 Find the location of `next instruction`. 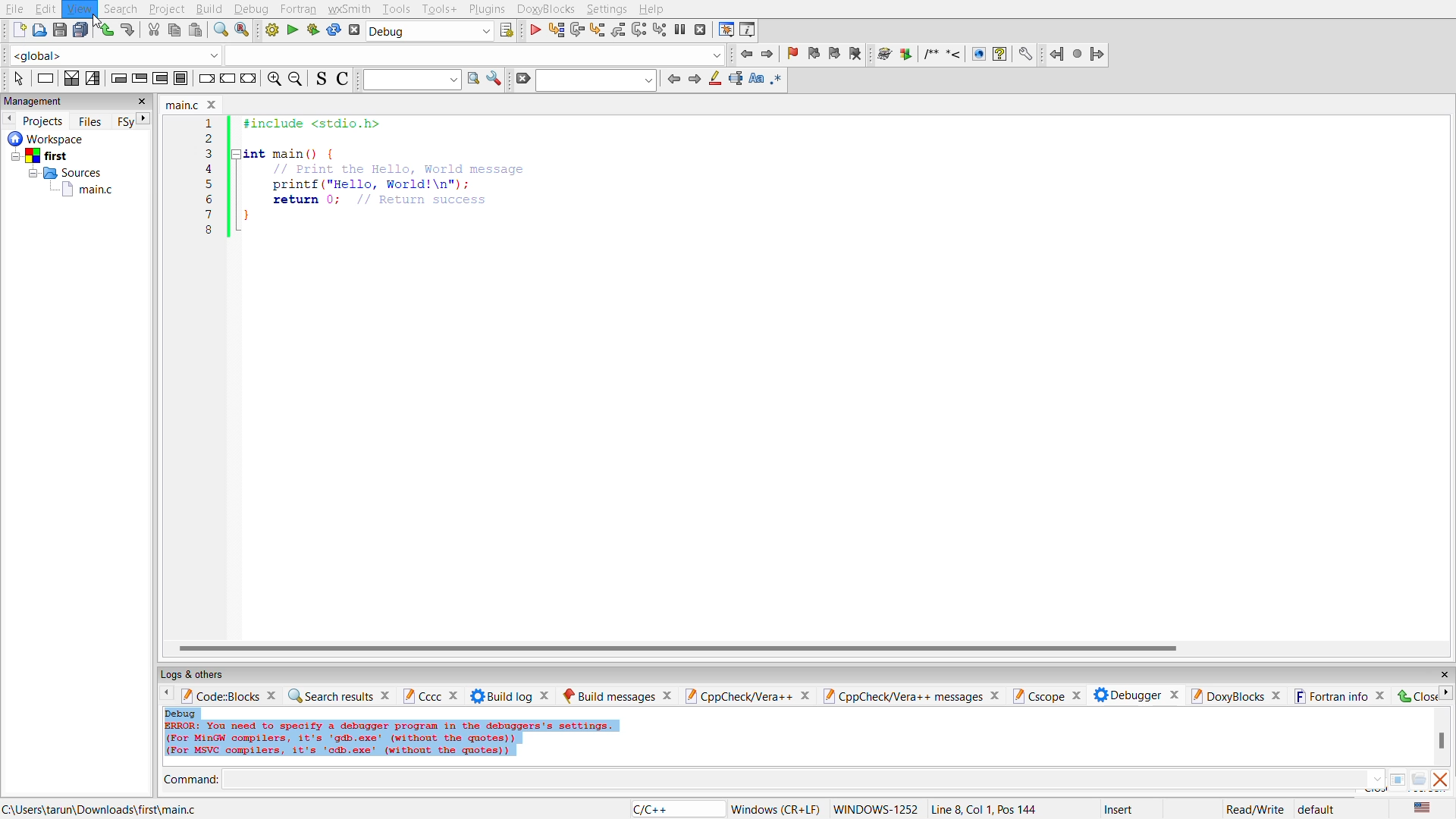

next instruction is located at coordinates (639, 32).